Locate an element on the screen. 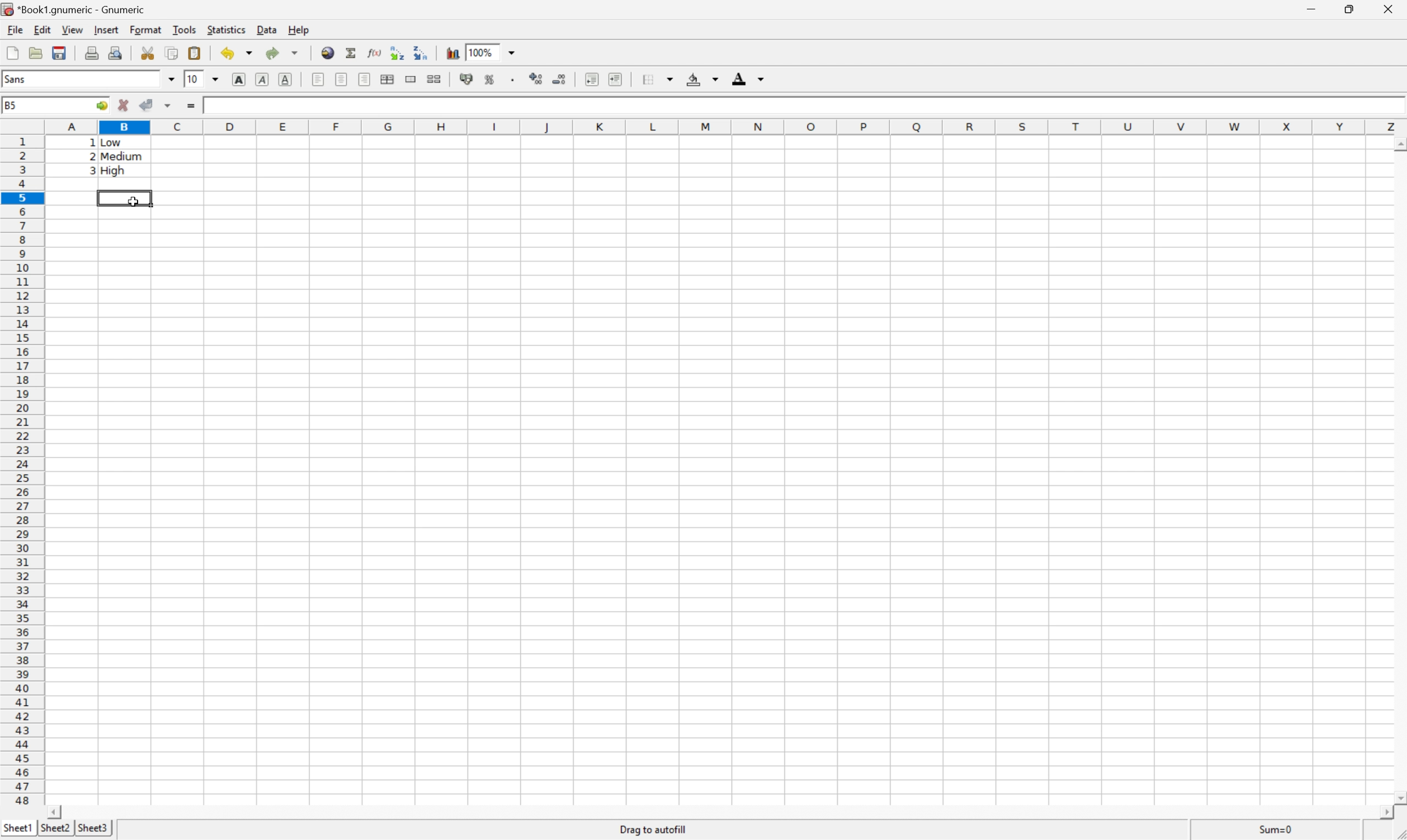 The width and height of the screenshot is (1407, 840). File is located at coordinates (14, 30).